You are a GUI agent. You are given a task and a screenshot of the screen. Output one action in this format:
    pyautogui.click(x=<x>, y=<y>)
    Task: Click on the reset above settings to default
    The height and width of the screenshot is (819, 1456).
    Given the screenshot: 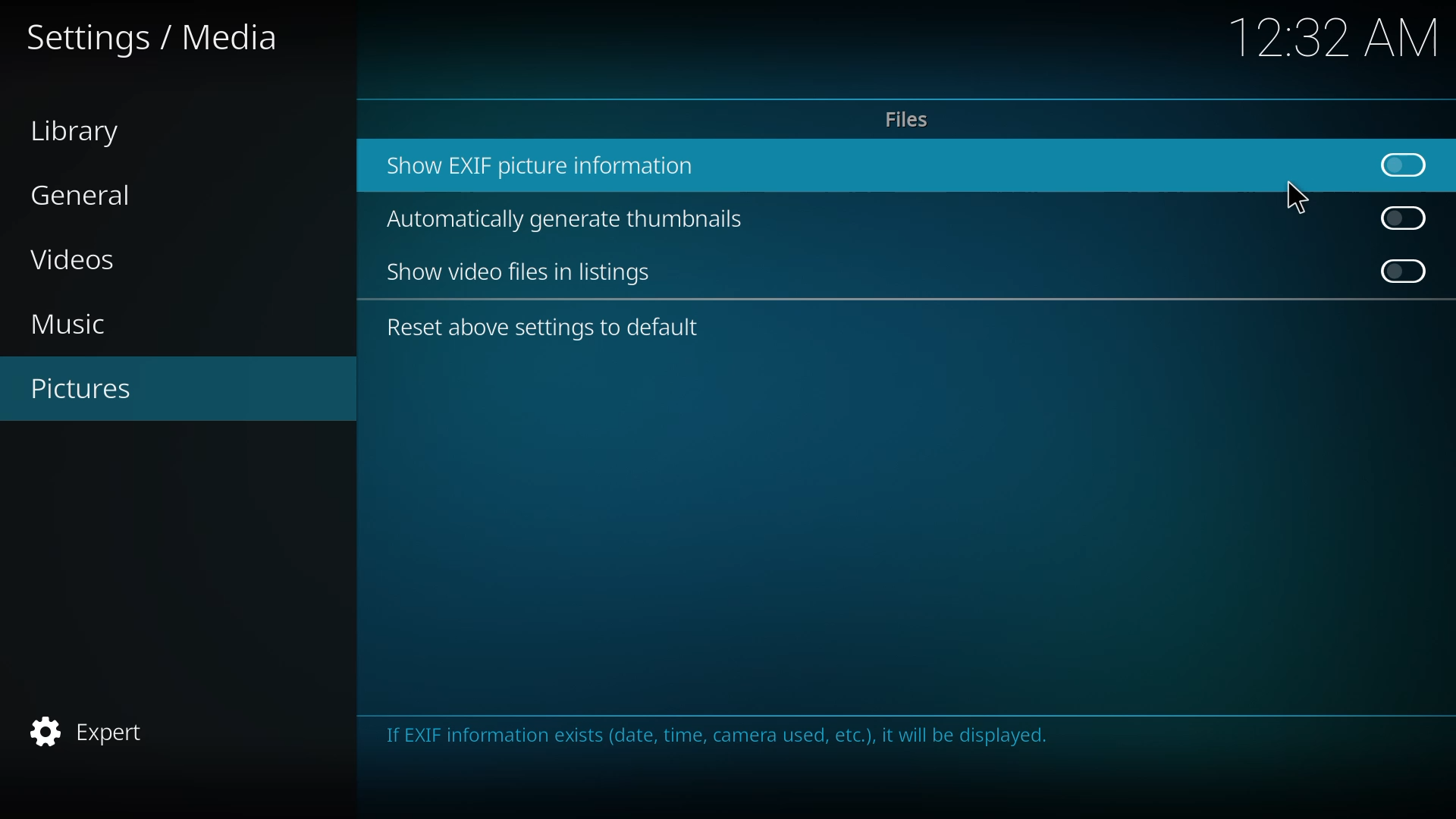 What is the action you would take?
    pyautogui.click(x=542, y=330)
    